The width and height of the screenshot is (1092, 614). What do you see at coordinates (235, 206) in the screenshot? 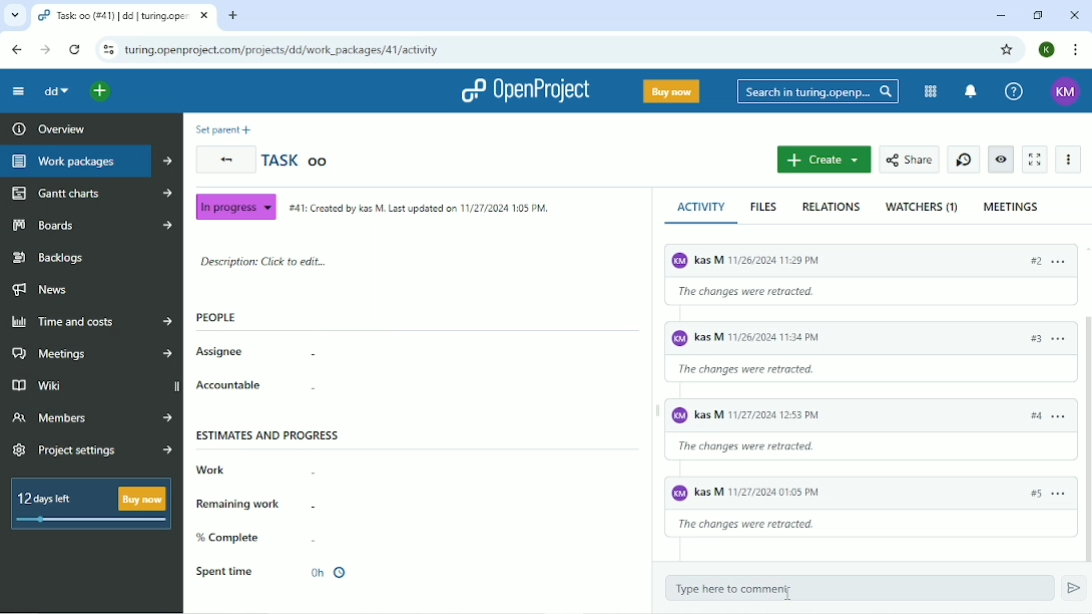
I see `In progress` at bounding box center [235, 206].